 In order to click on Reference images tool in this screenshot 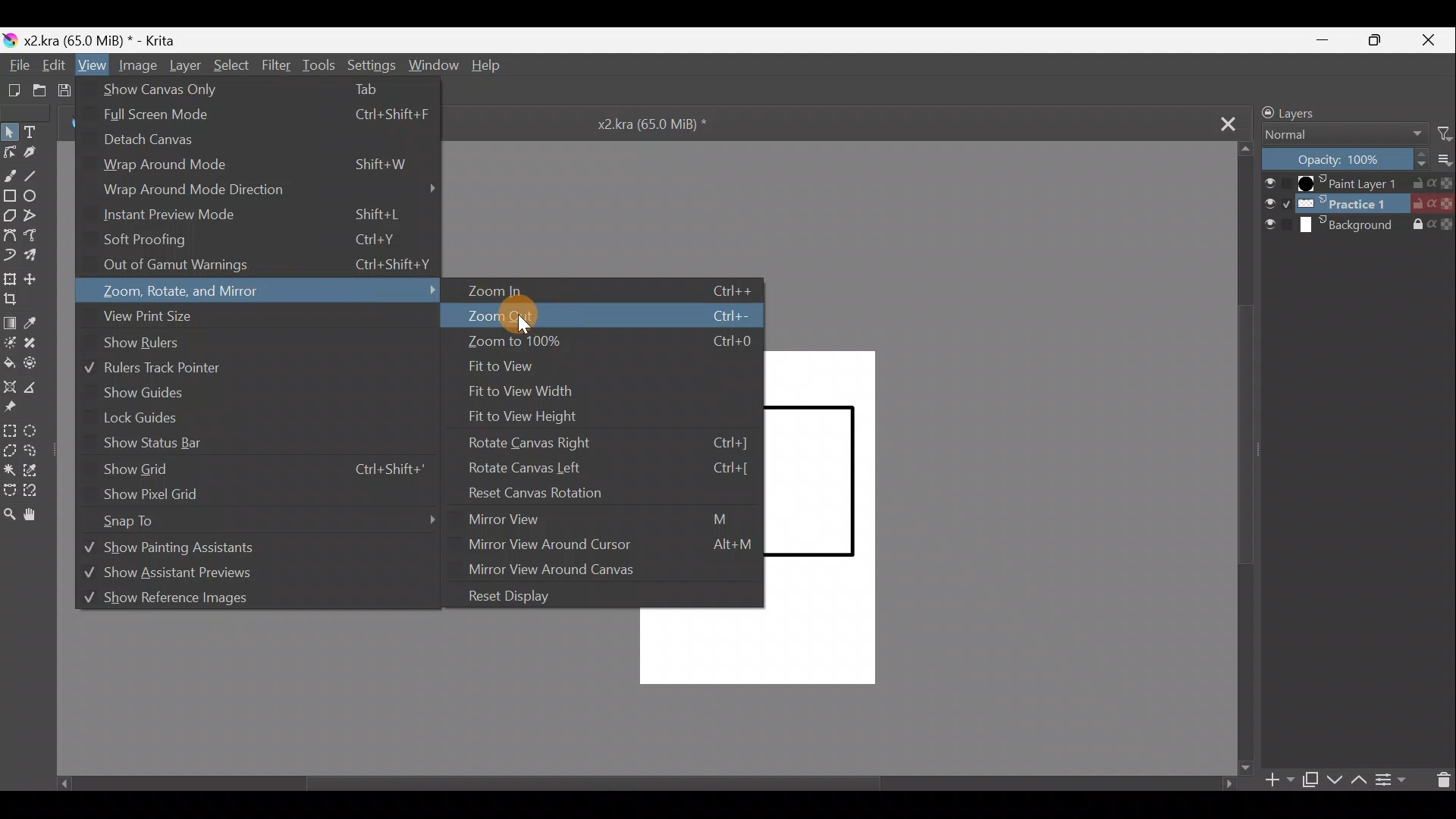, I will do `click(20, 409)`.